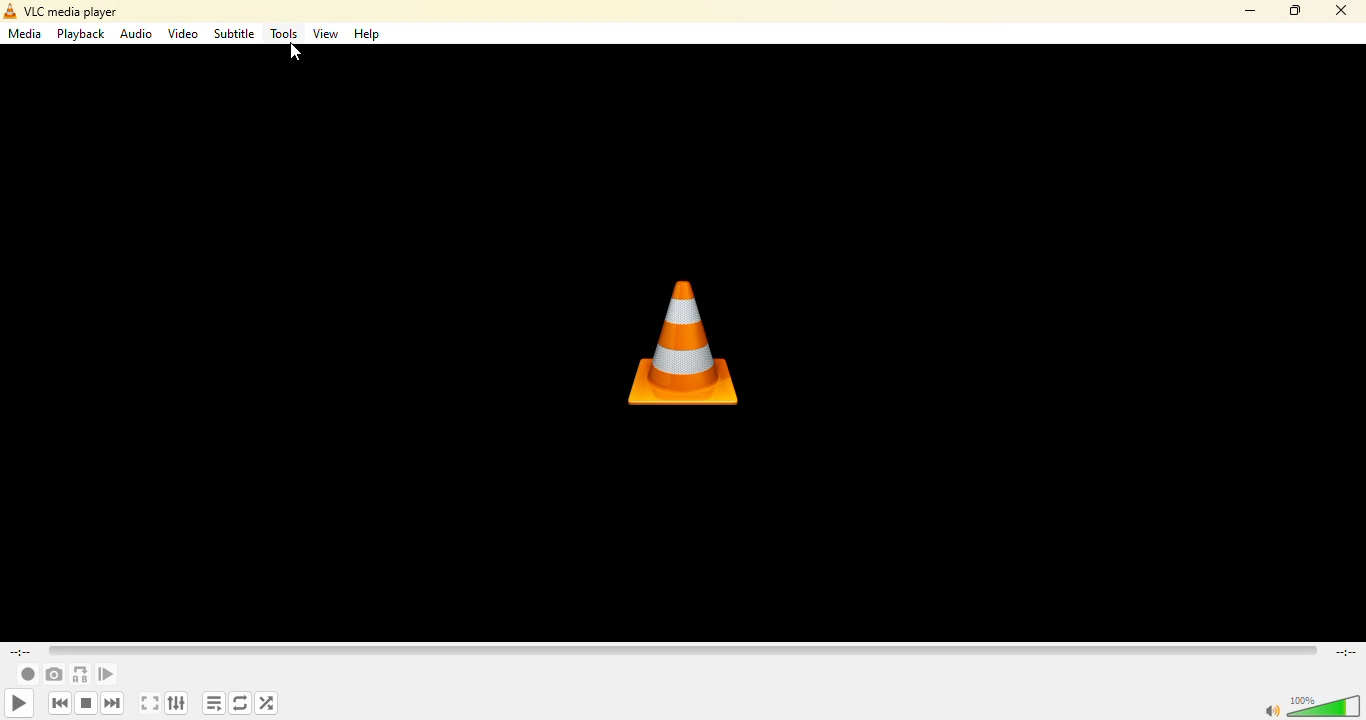  I want to click on volume adjust 100%, so click(1327, 706).